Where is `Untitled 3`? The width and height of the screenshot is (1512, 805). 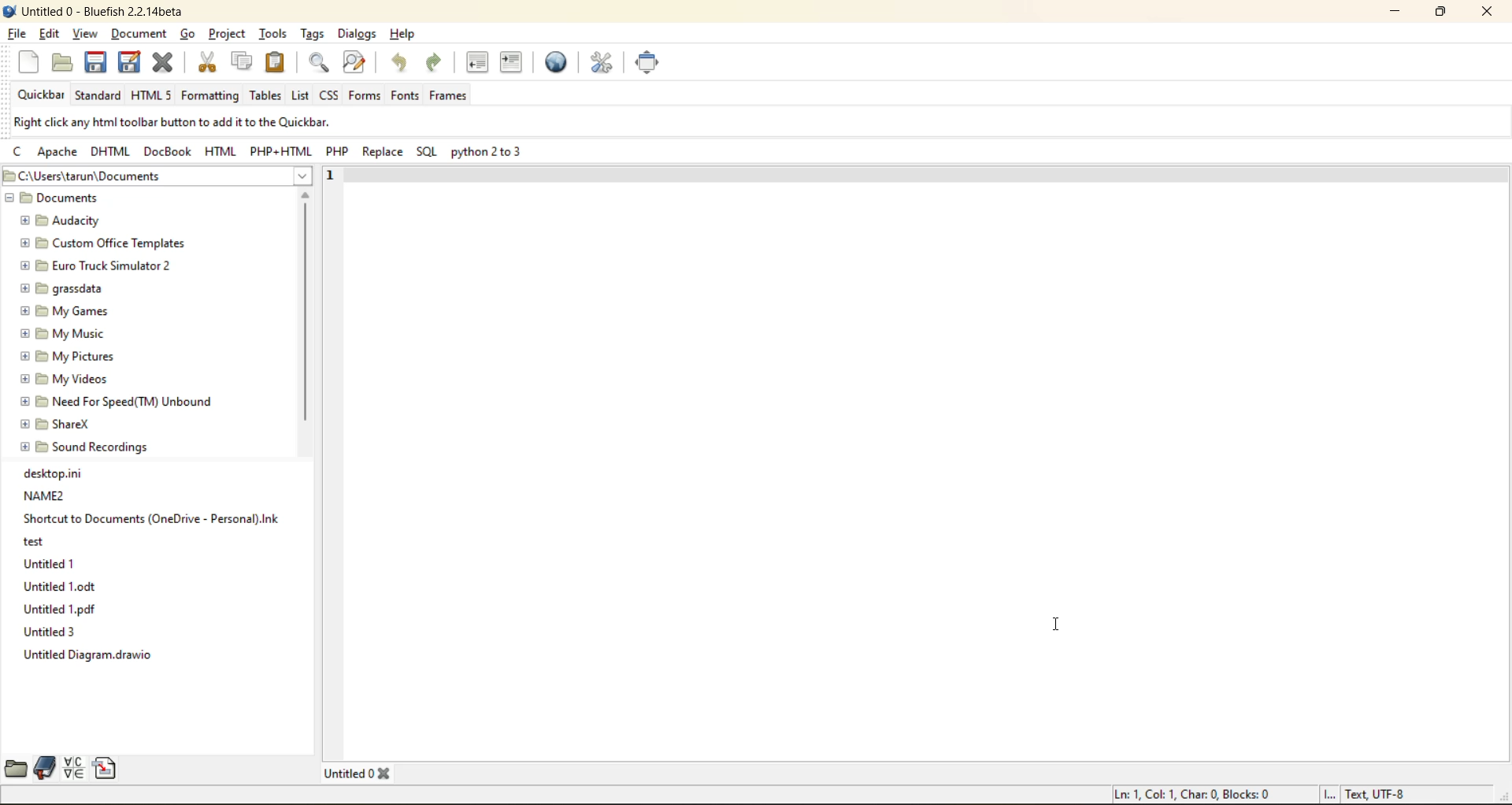
Untitled 3 is located at coordinates (50, 632).